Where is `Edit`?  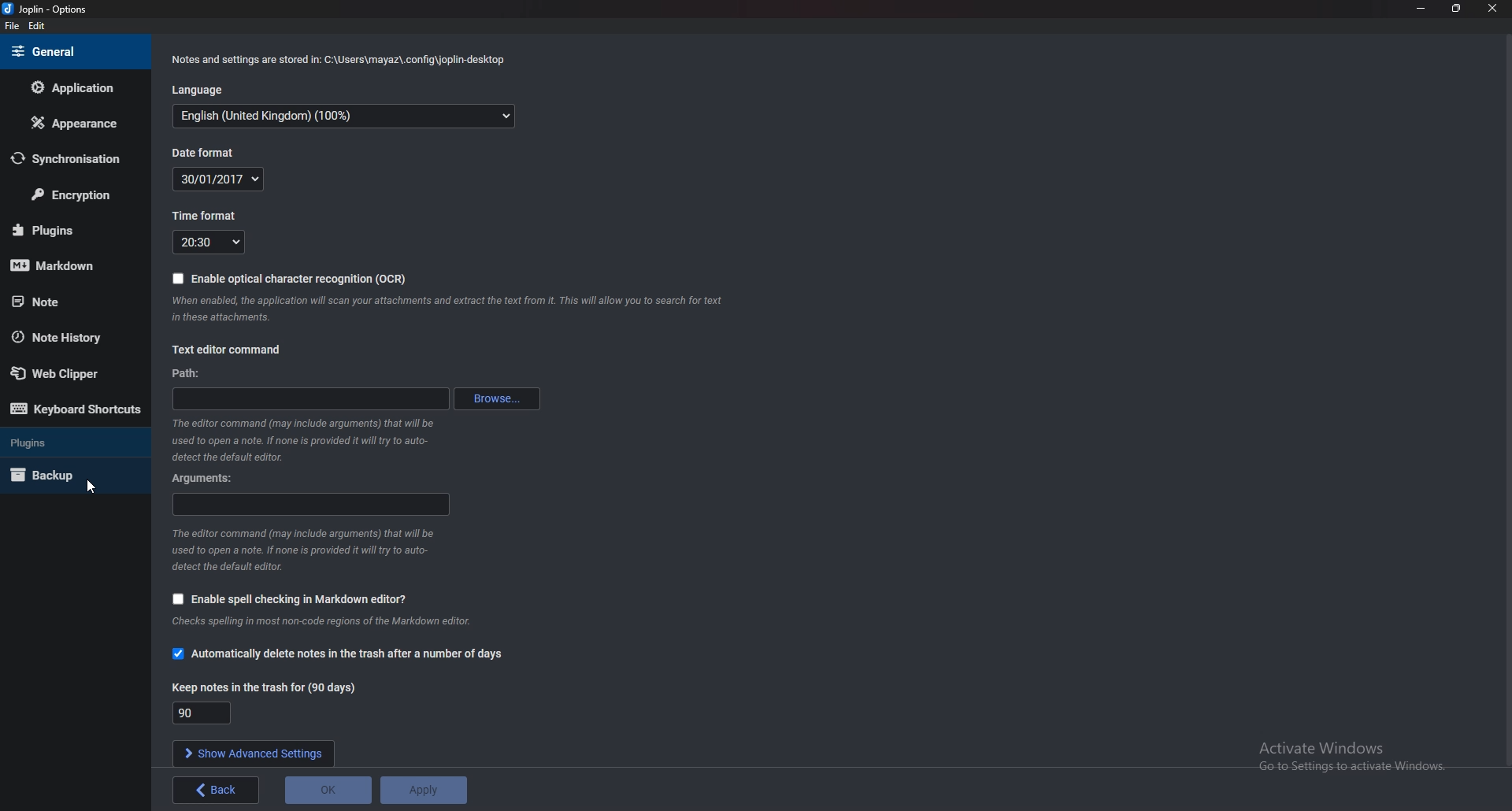 Edit is located at coordinates (38, 26).